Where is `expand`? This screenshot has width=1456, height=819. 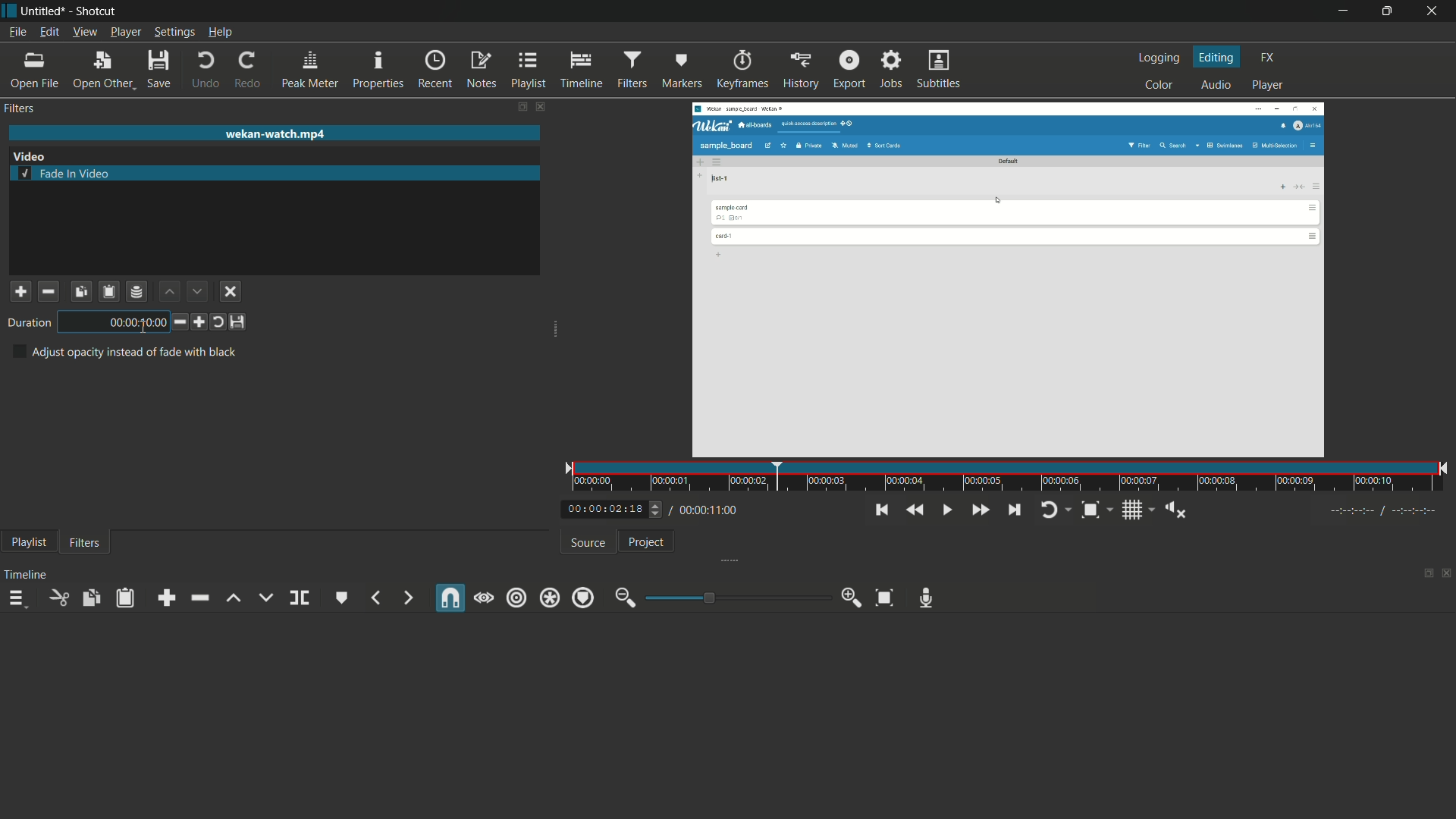
expand is located at coordinates (736, 559).